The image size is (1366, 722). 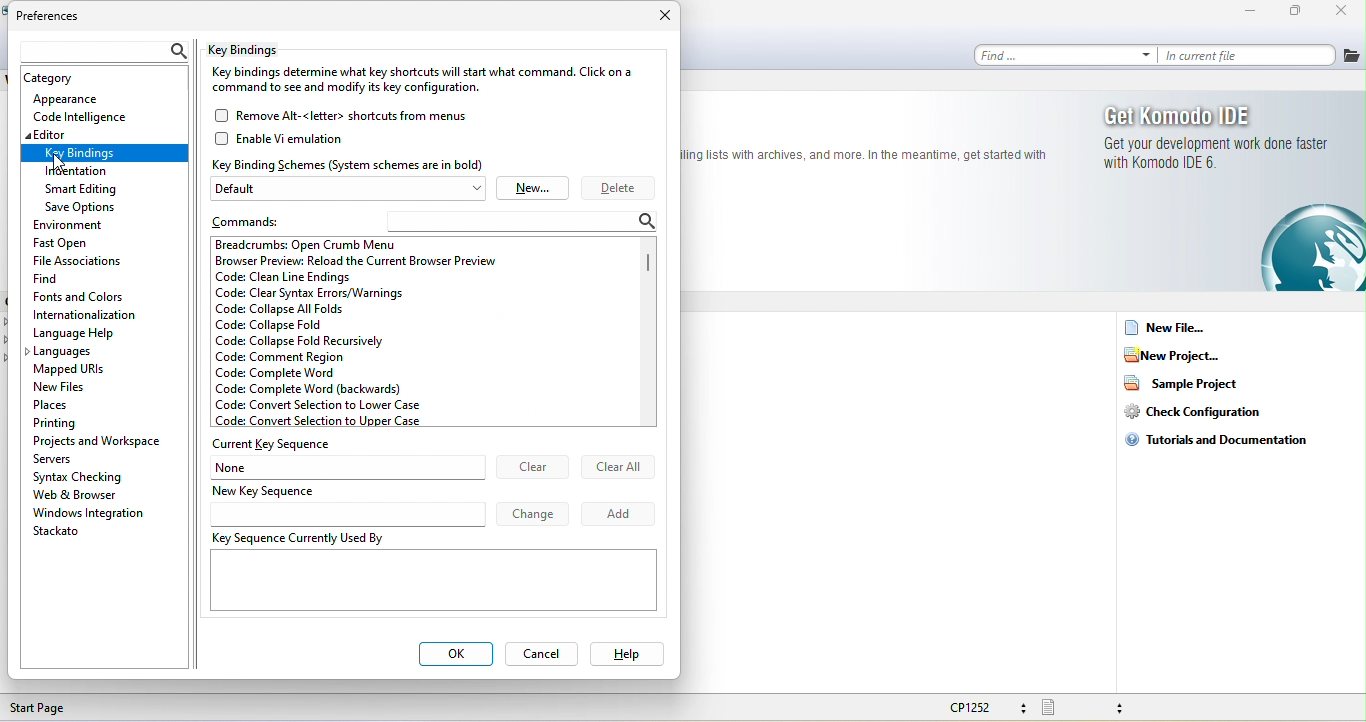 I want to click on check configuration, so click(x=1206, y=411).